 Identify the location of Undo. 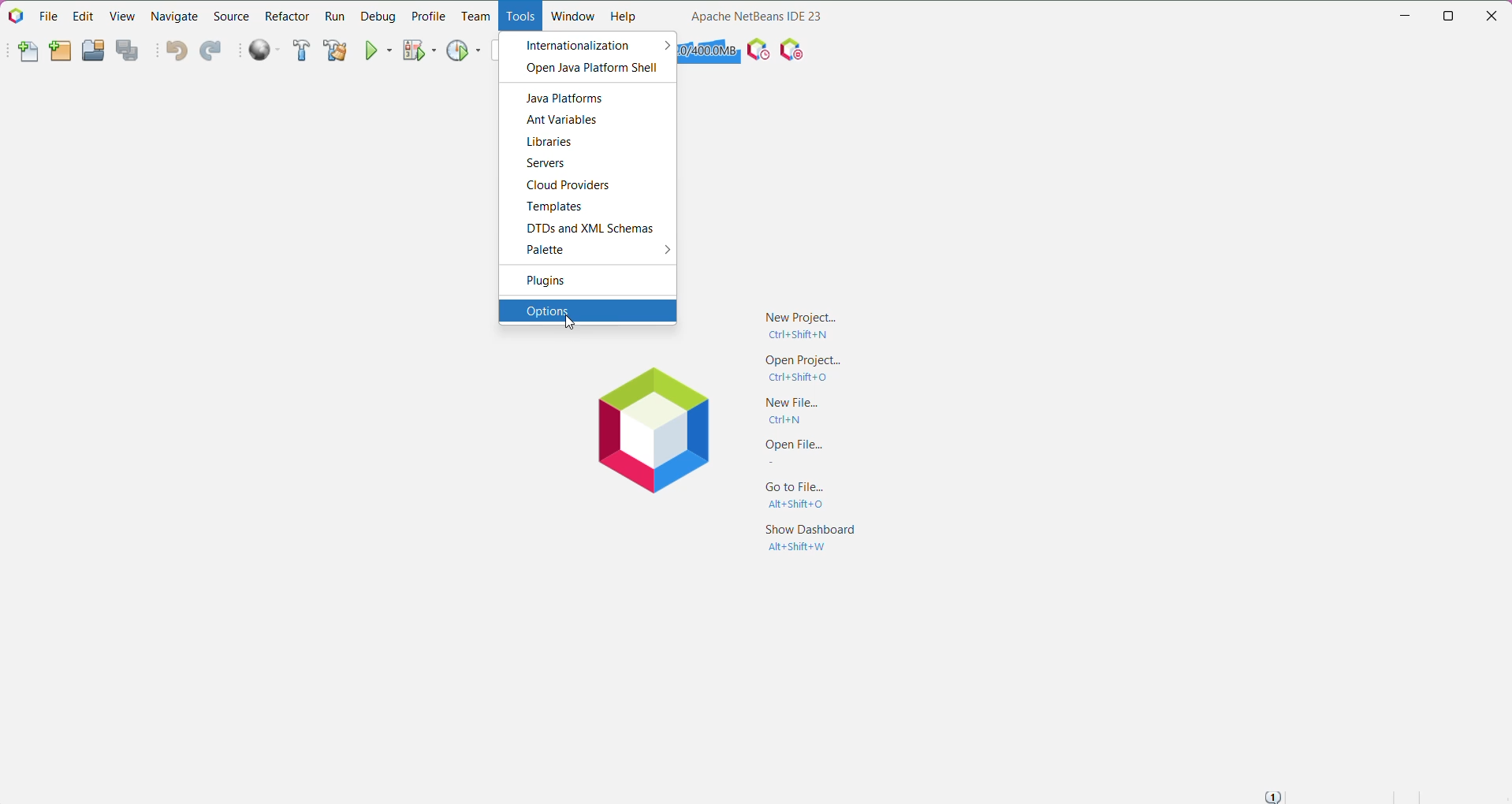
(176, 52).